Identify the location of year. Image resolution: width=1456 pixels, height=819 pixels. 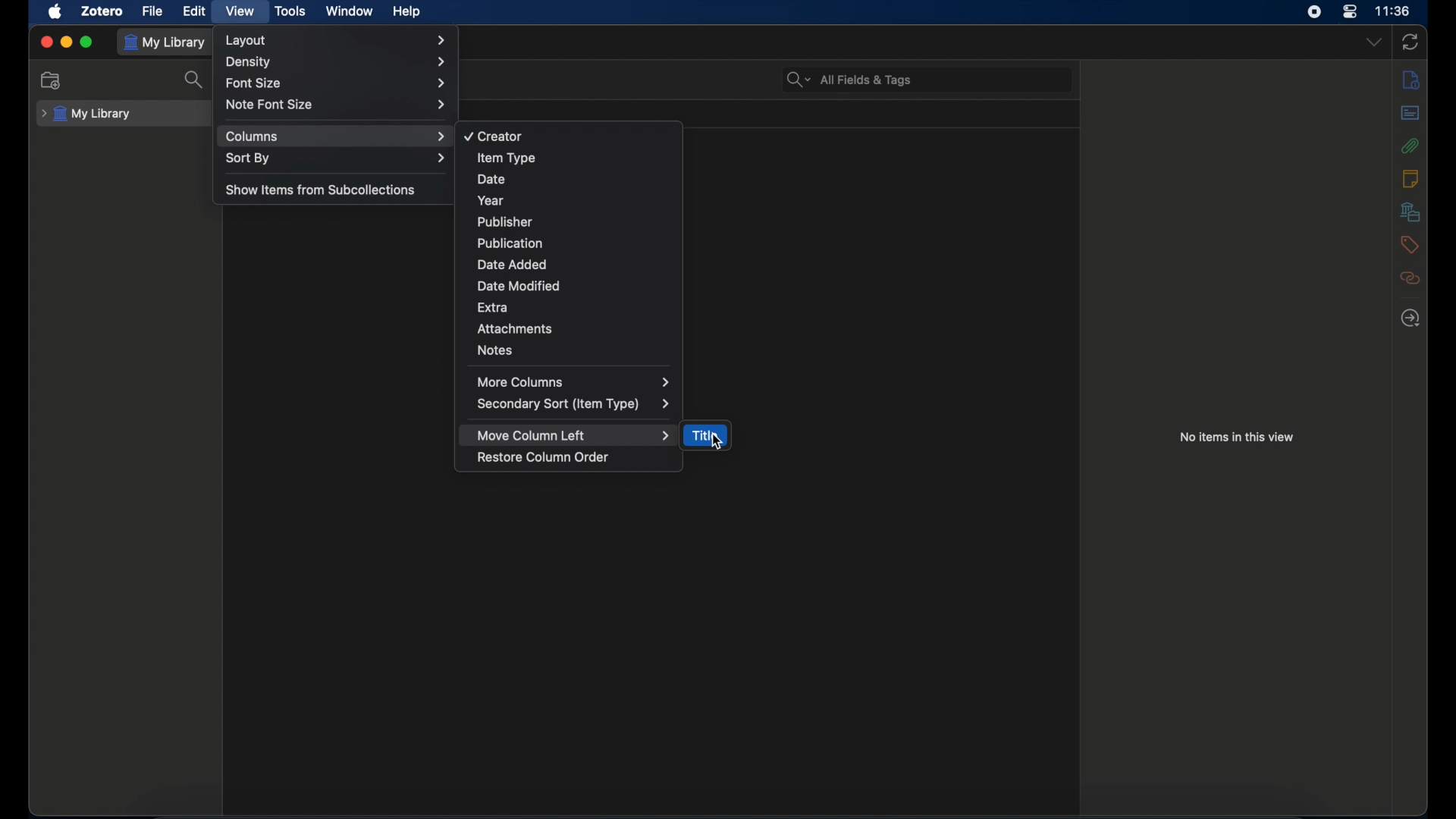
(491, 201).